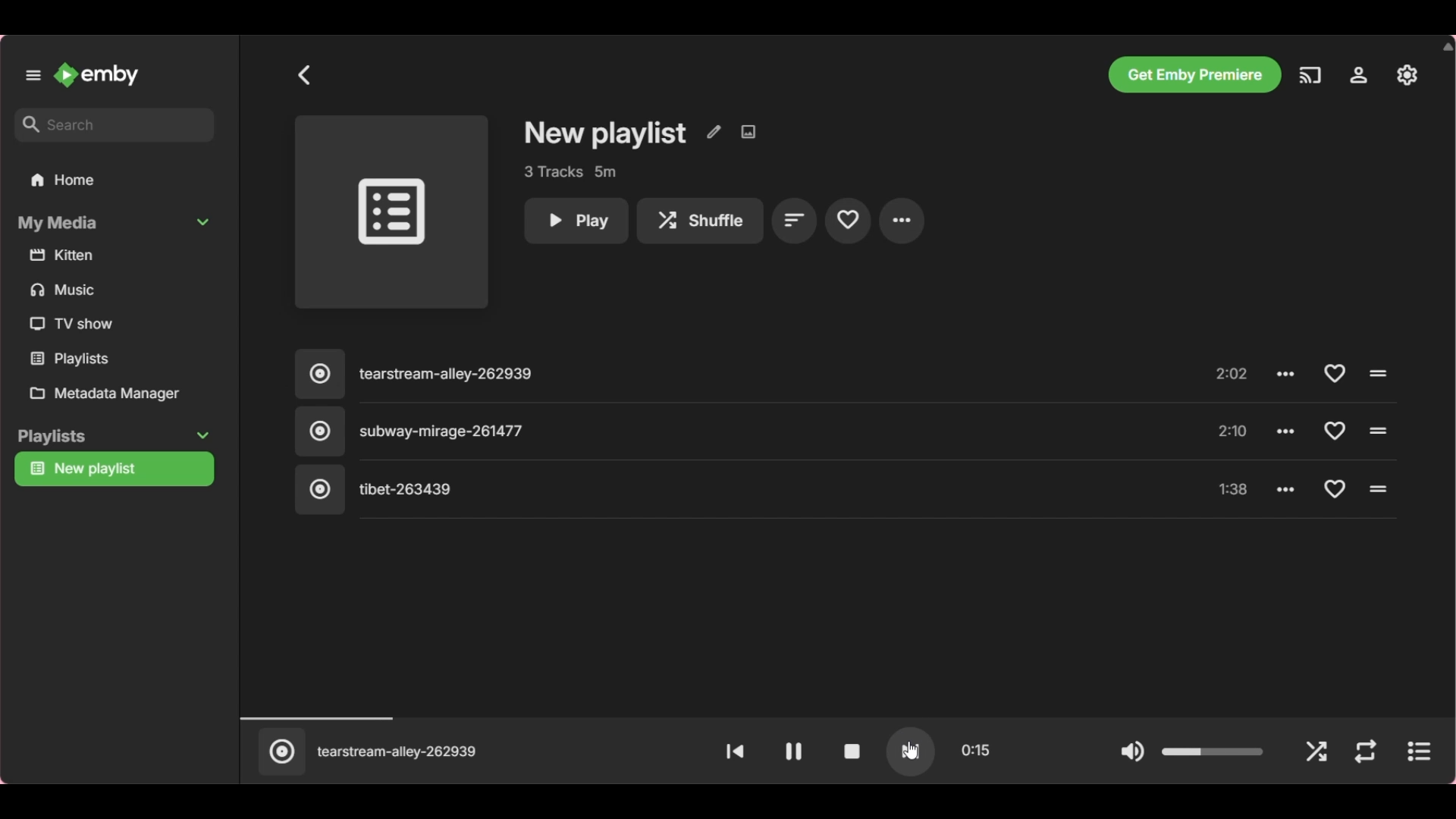  What do you see at coordinates (278, 758) in the screenshot?
I see `Click to play current song in separate window` at bounding box center [278, 758].